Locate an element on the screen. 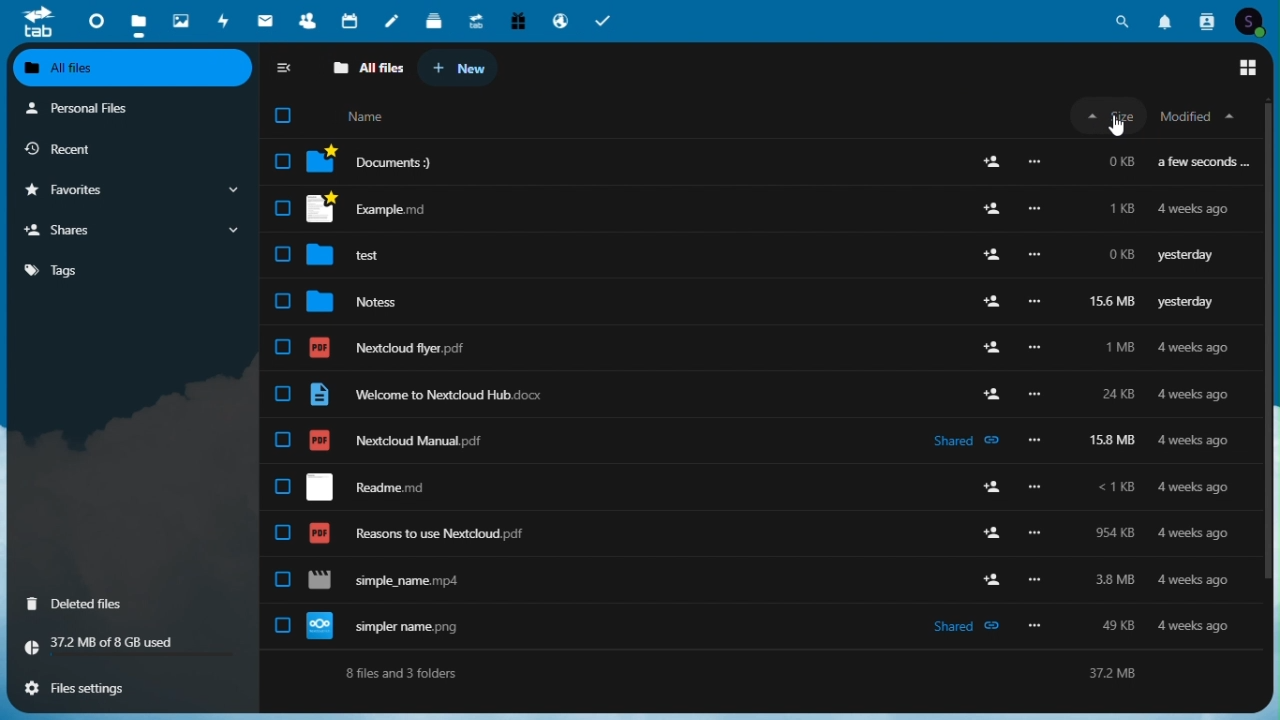  new is located at coordinates (459, 70).